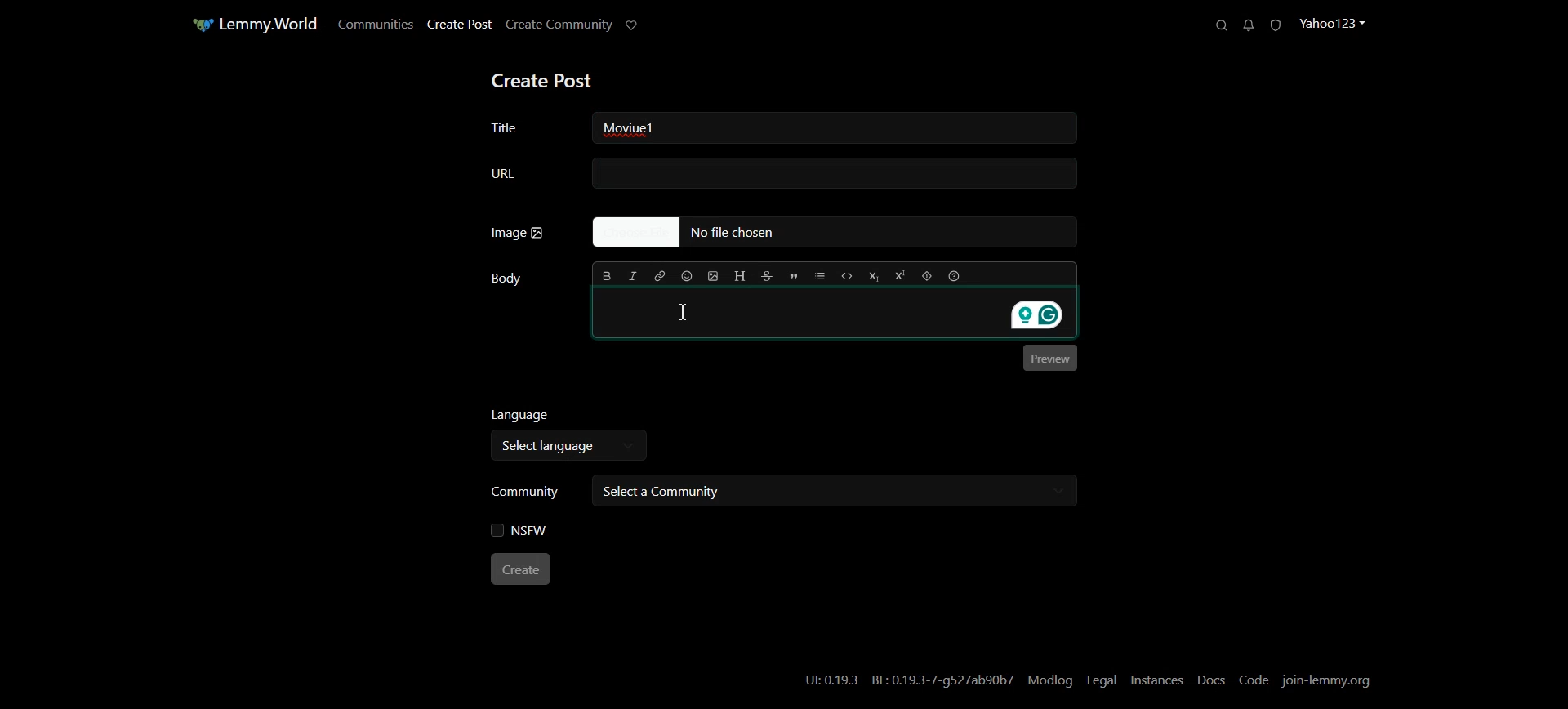  What do you see at coordinates (520, 531) in the screenshot?
I see `NSFW` at bounding box center [520, 531].